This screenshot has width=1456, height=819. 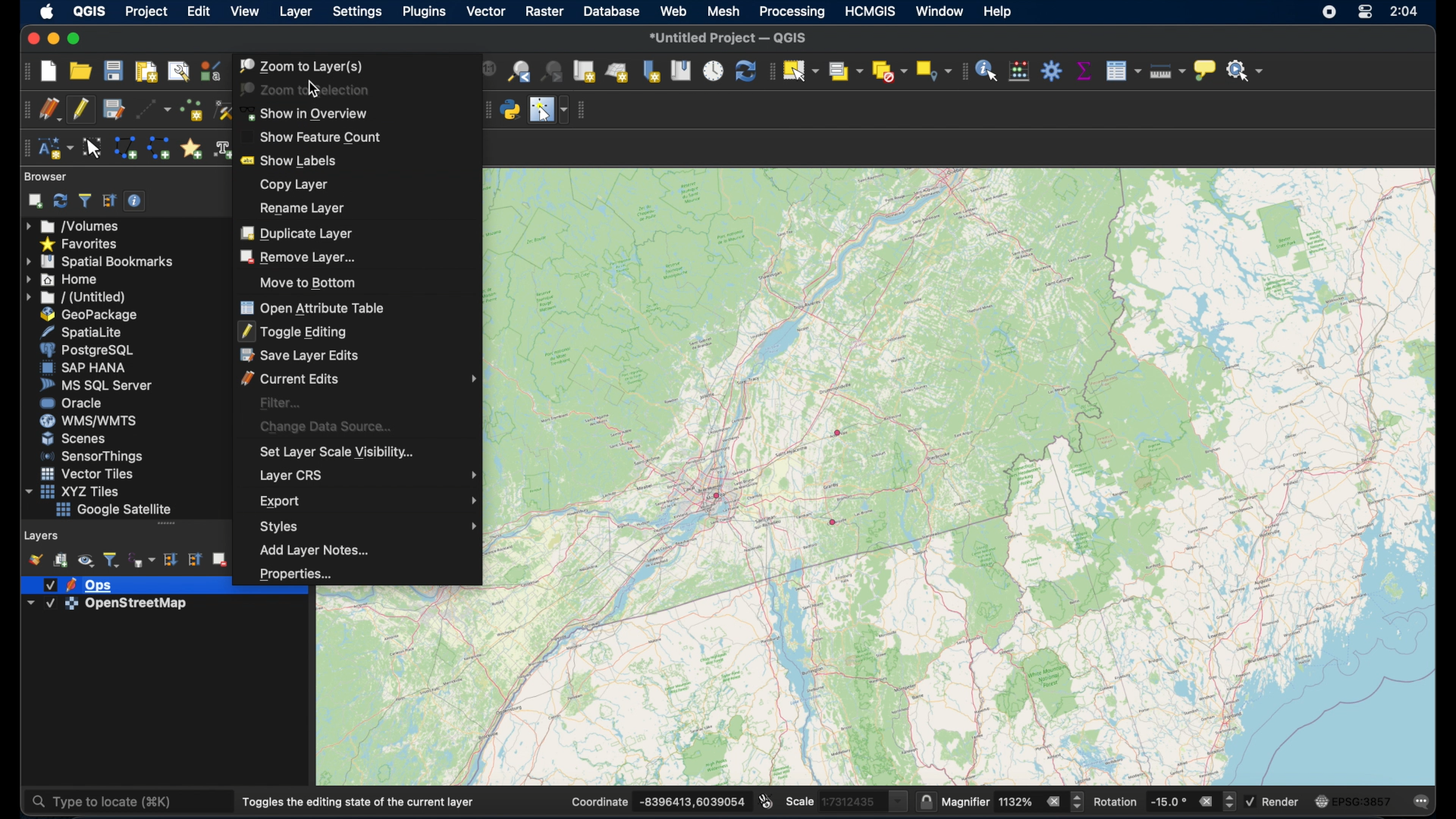 I want to click on scenes, so click(x=74, y=438).